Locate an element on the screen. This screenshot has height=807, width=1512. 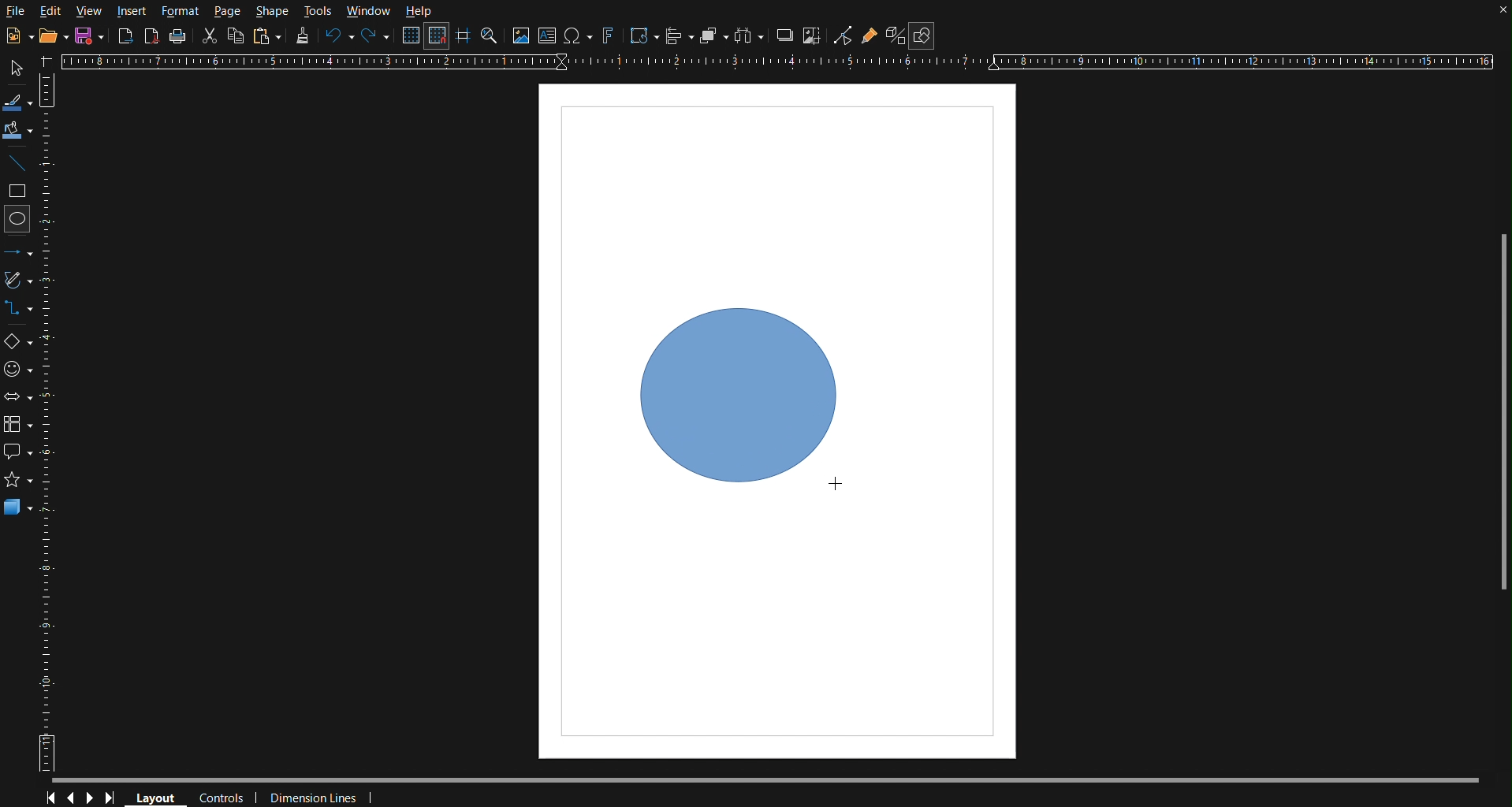
3D Objects is located at coordinates (23, 508).